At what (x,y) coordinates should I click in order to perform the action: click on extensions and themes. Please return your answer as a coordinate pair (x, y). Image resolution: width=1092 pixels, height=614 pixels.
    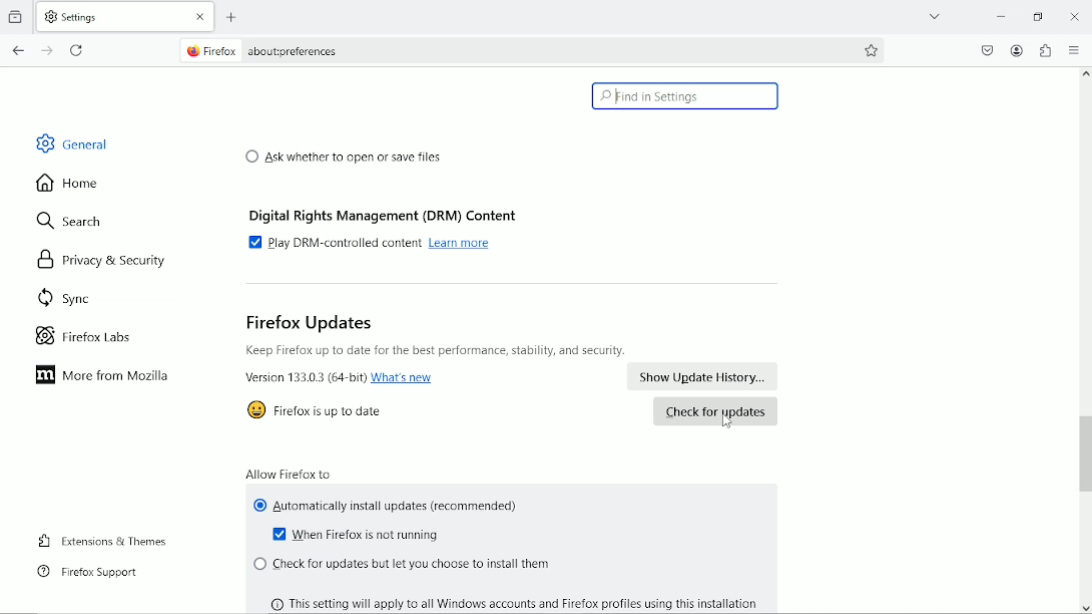
    Looking at the image, I should click on (105, 539).